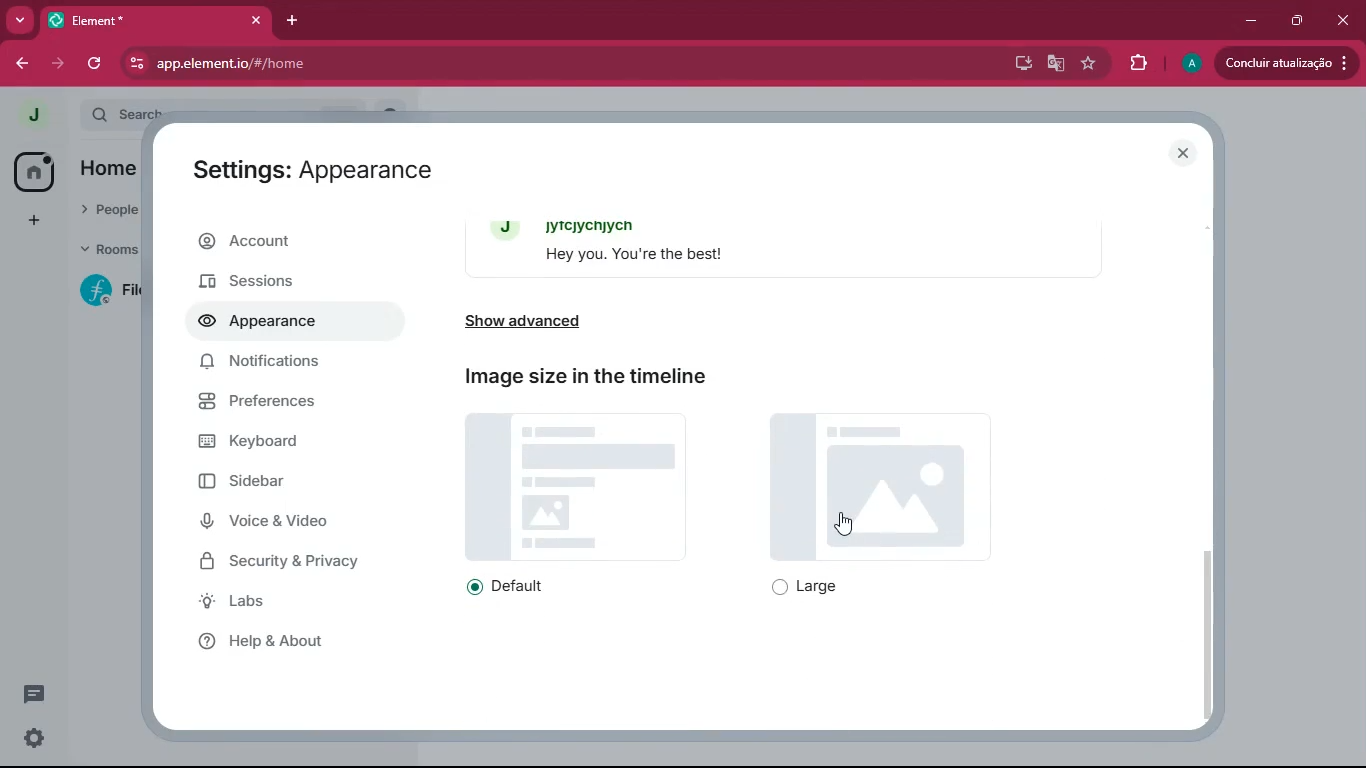 The width and height of the screenshot is (1366, 768). Describe the element at coordinates (1252, 19) in the screenshot. I see `minimize` at that location.